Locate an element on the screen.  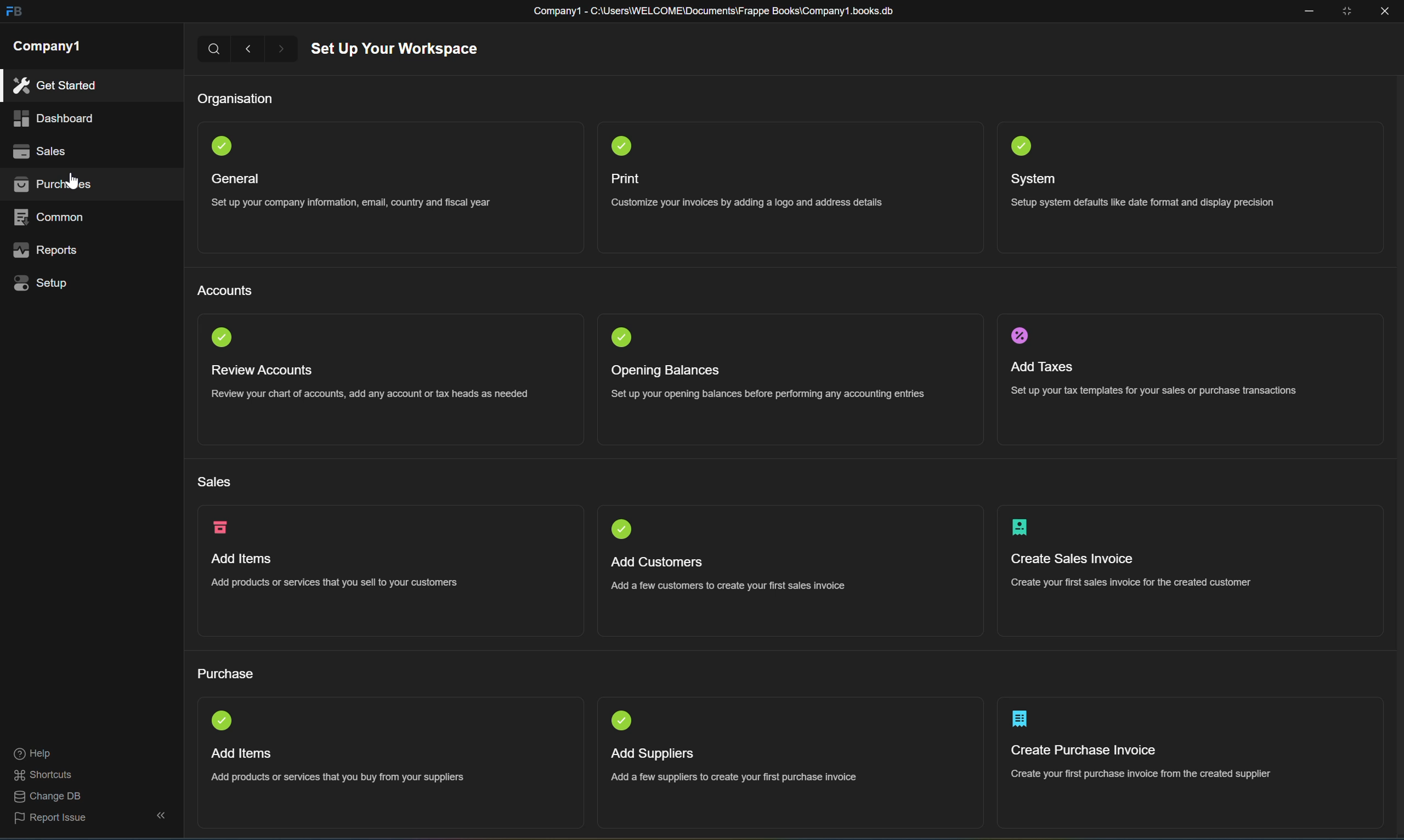
add products or services that you buy from you suppliers is located at coordinates (339, 777).